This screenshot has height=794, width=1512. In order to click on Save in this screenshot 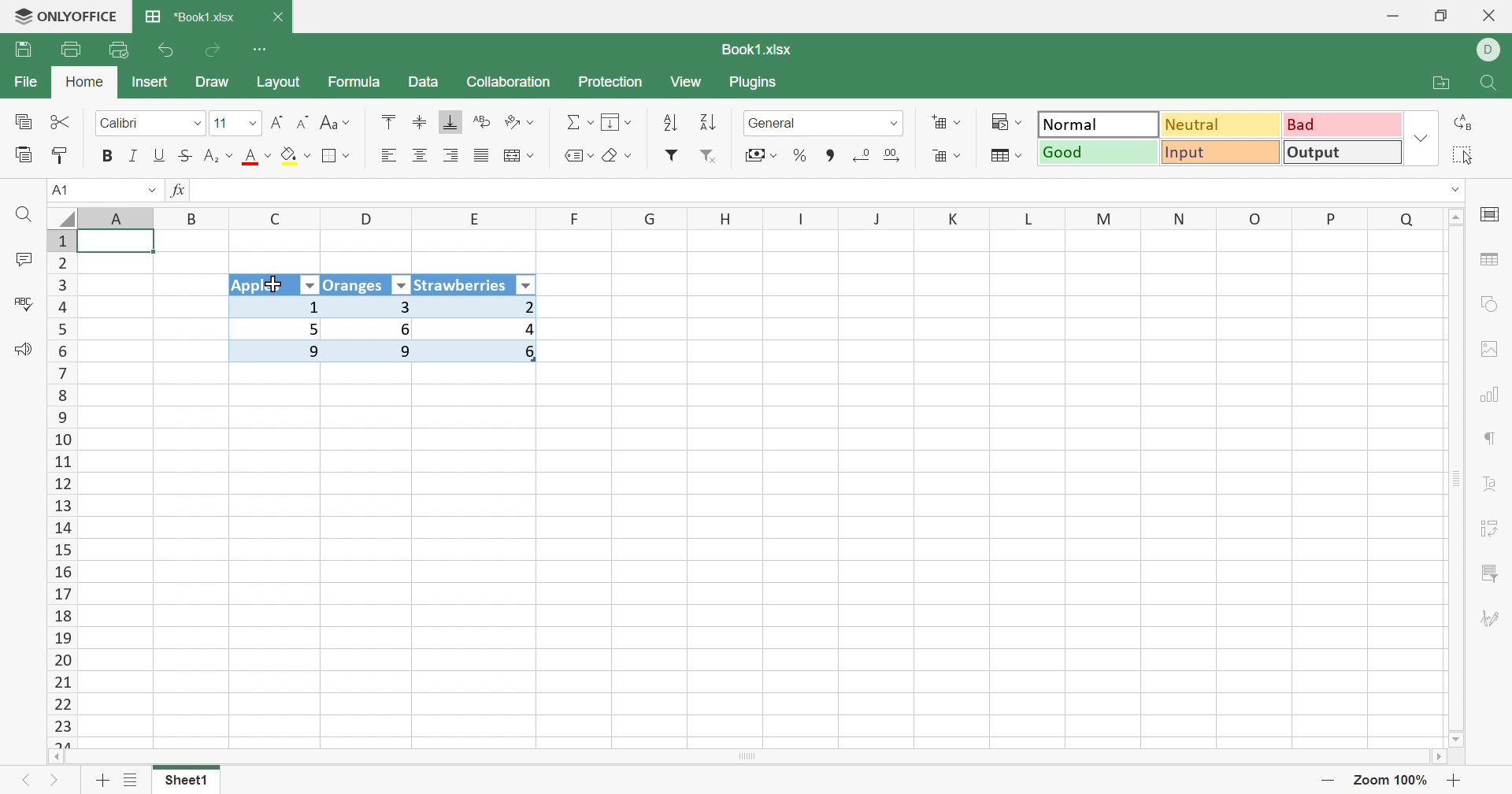, I will do `click(26, 50)`.